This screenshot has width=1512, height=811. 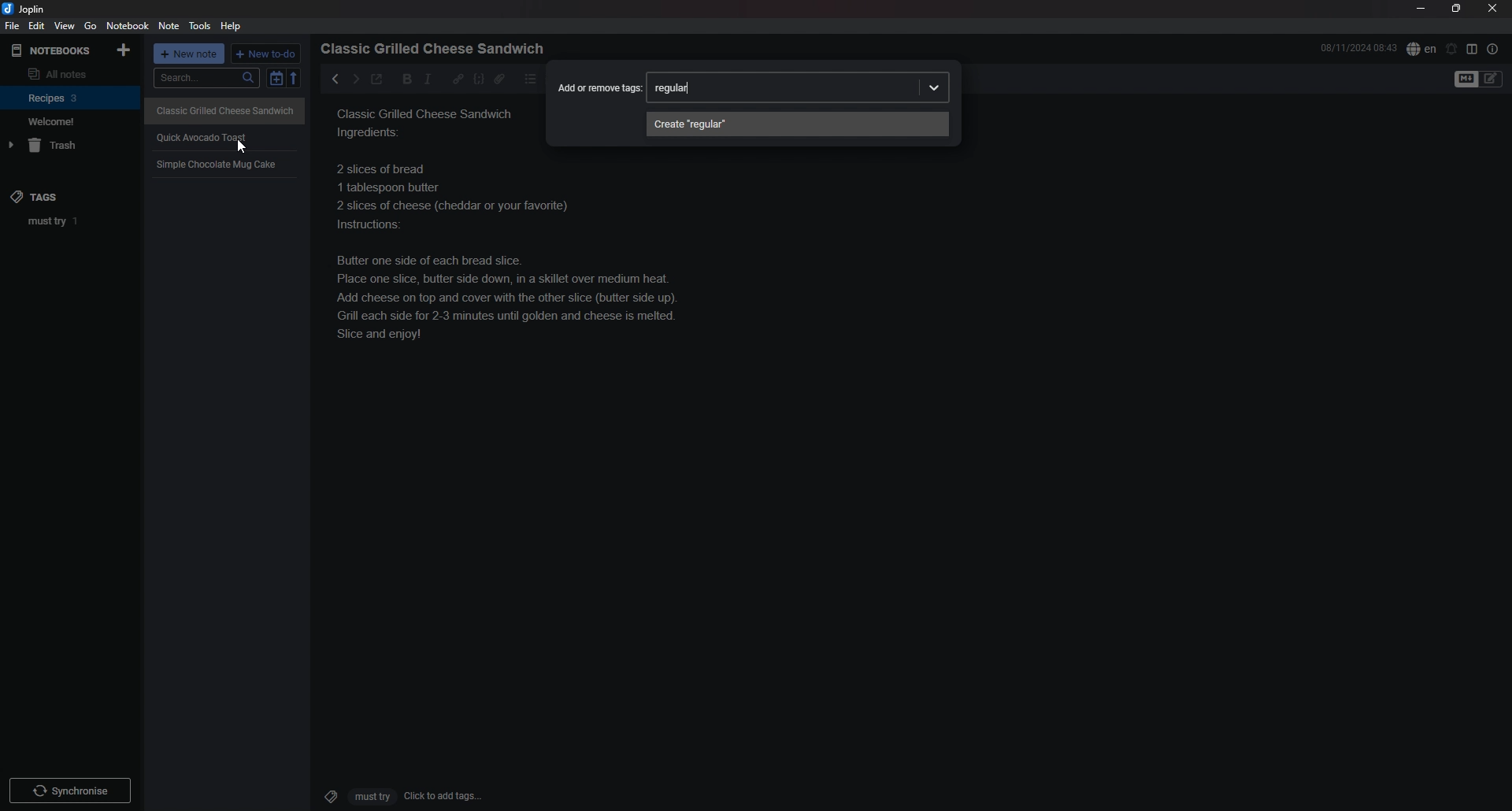 I want to click on notebook, so click(x=129, y=25).